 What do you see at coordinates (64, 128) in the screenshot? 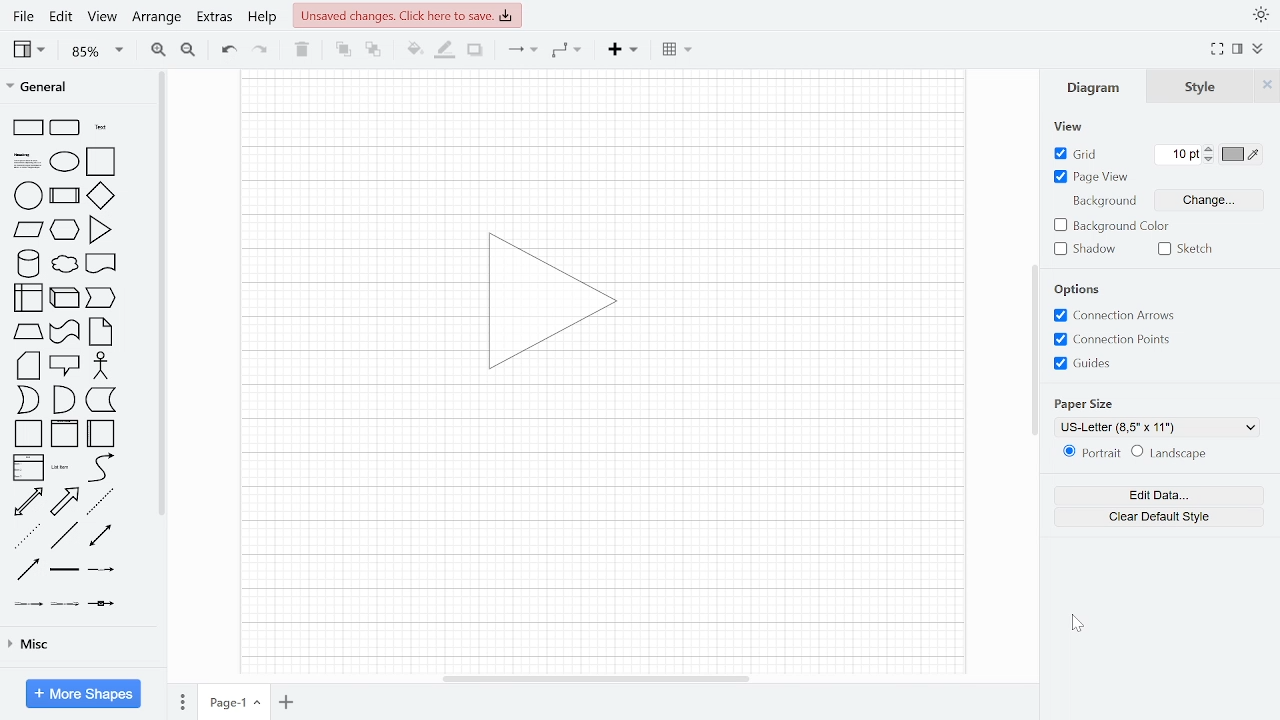
I see `Rounded rectangle` at bounding box center [64, 128].